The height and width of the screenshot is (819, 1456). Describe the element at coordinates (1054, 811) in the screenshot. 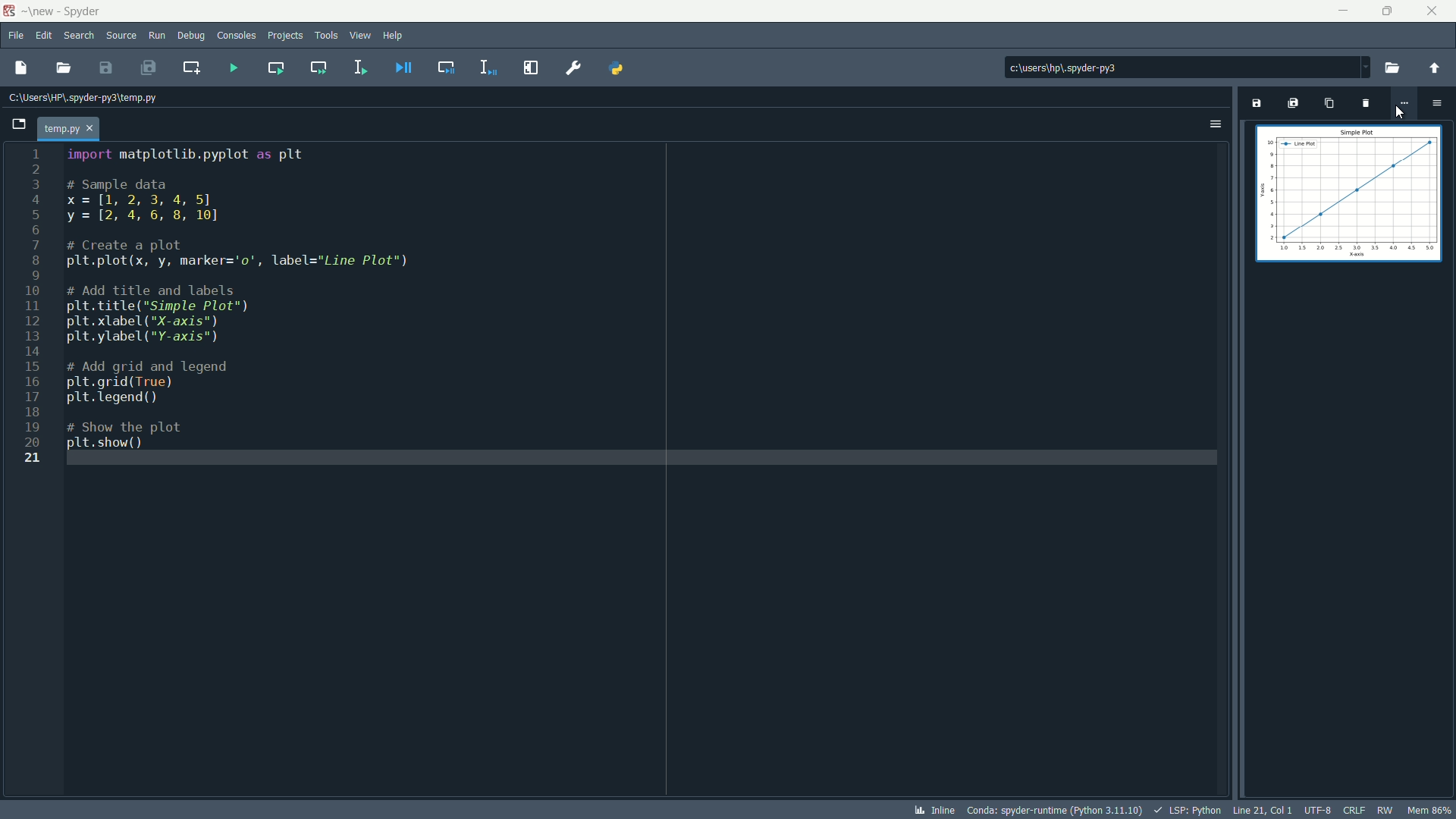

I see `python interpreter` at that location.